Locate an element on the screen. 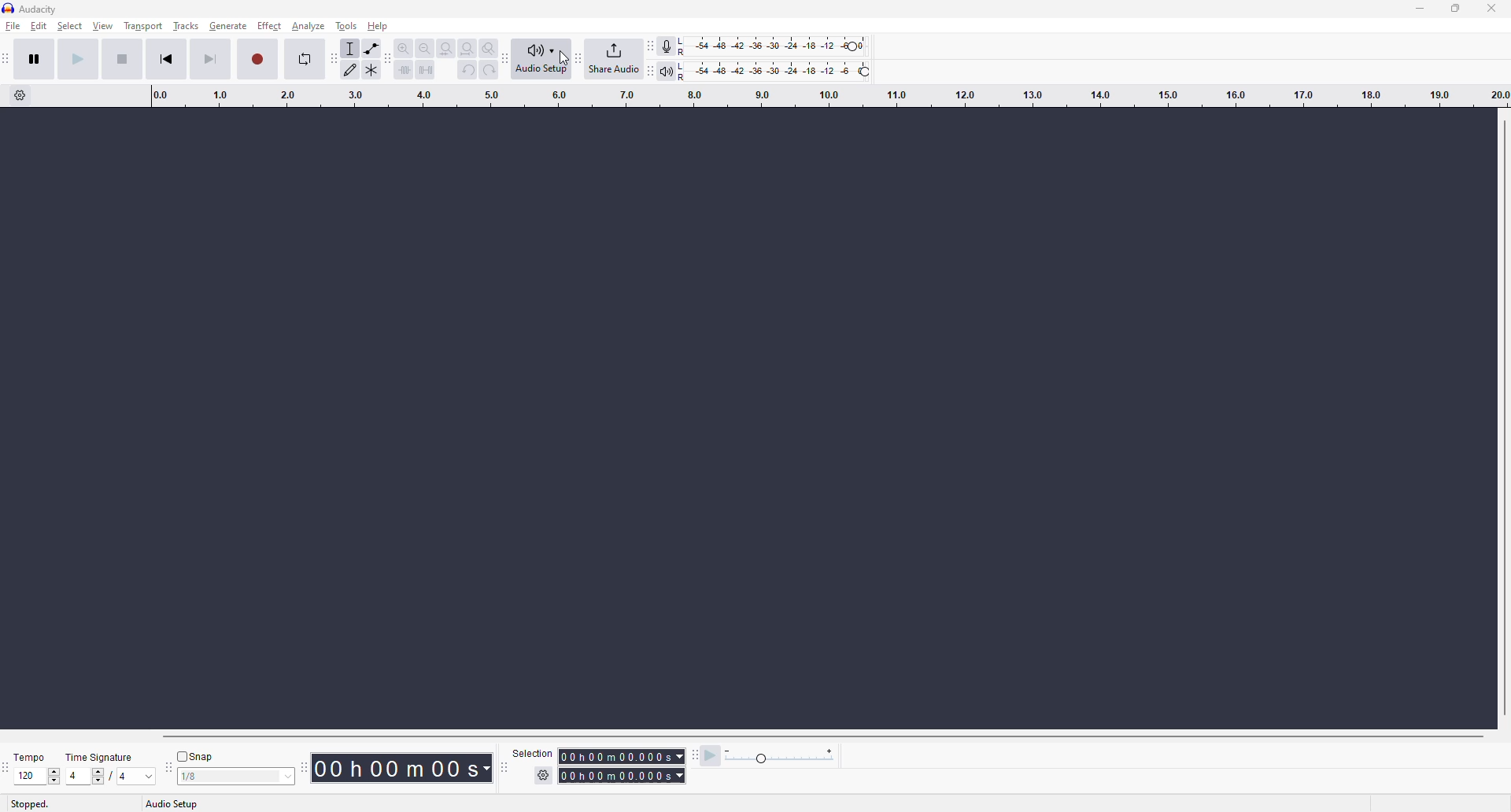 This screenshot has width=1511, height=812. values is located at coordinates (77, 778).